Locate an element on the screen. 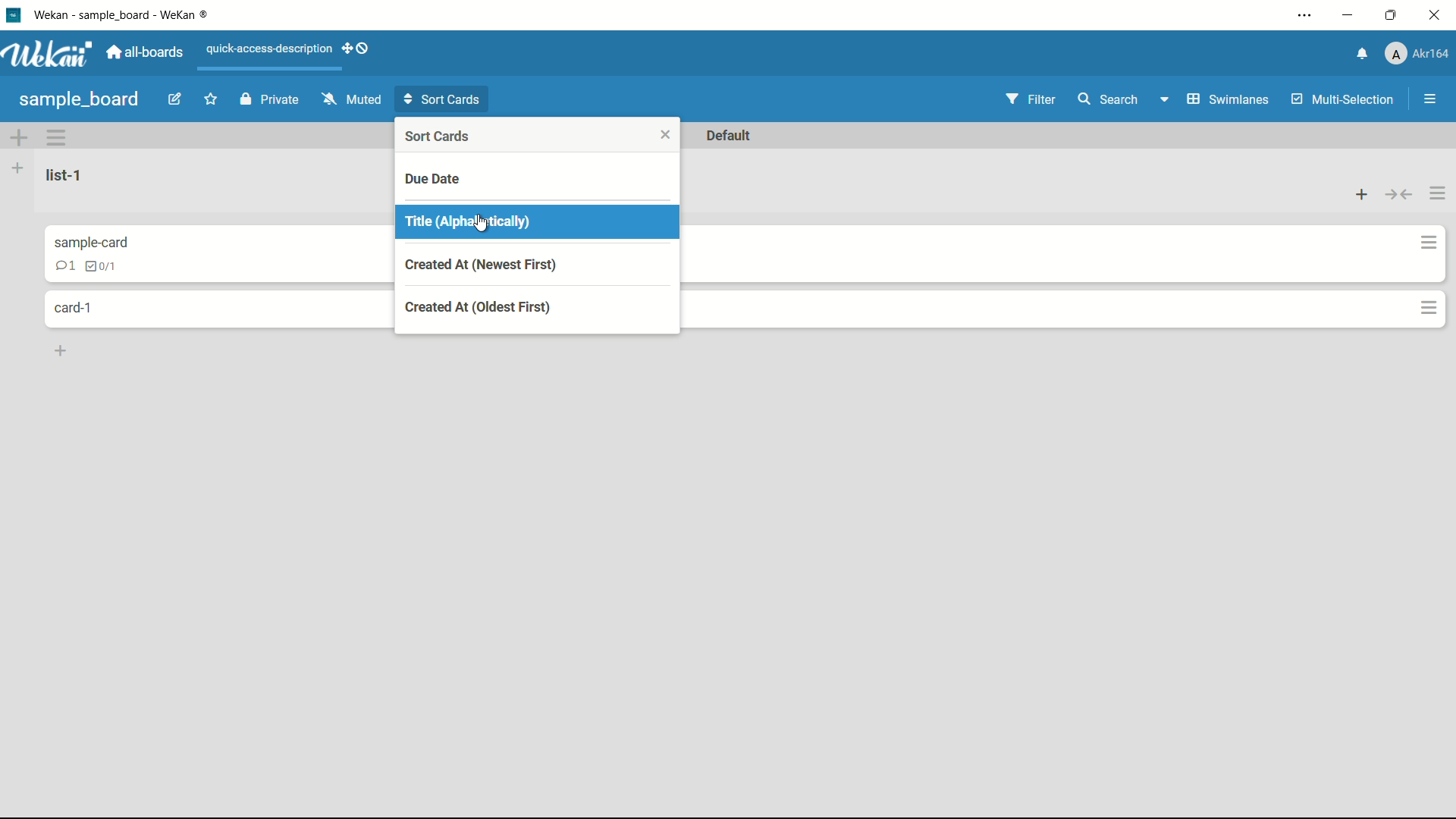 The image size is (1456, 819). due date is located at coordinates (433, 178).